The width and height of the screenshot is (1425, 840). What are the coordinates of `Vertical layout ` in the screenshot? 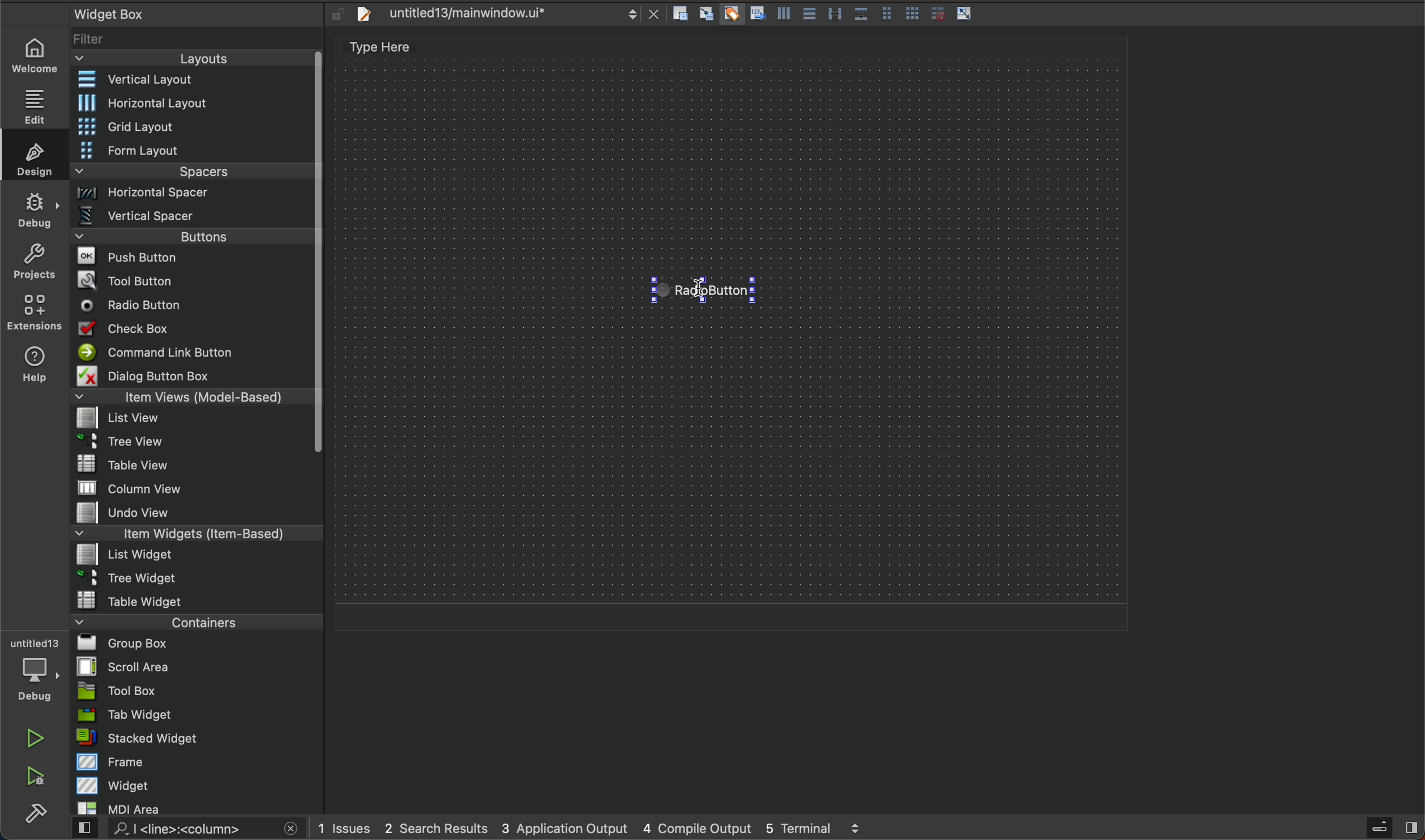 It's located at (194, 80).